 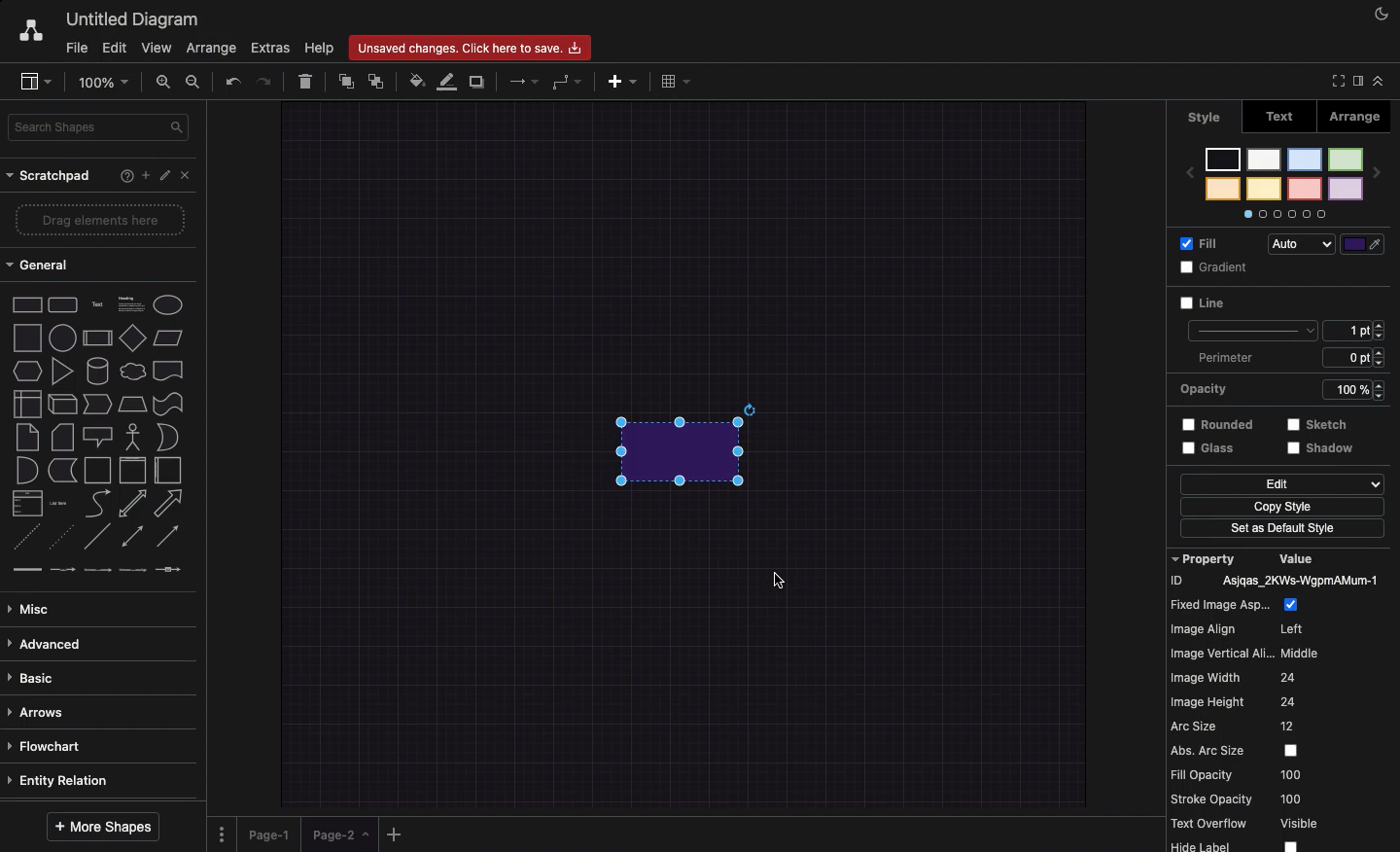 What do you see at coordinates (25, 403) in the screenshot?
I see `internal storage` at bounding box center [25, 403].